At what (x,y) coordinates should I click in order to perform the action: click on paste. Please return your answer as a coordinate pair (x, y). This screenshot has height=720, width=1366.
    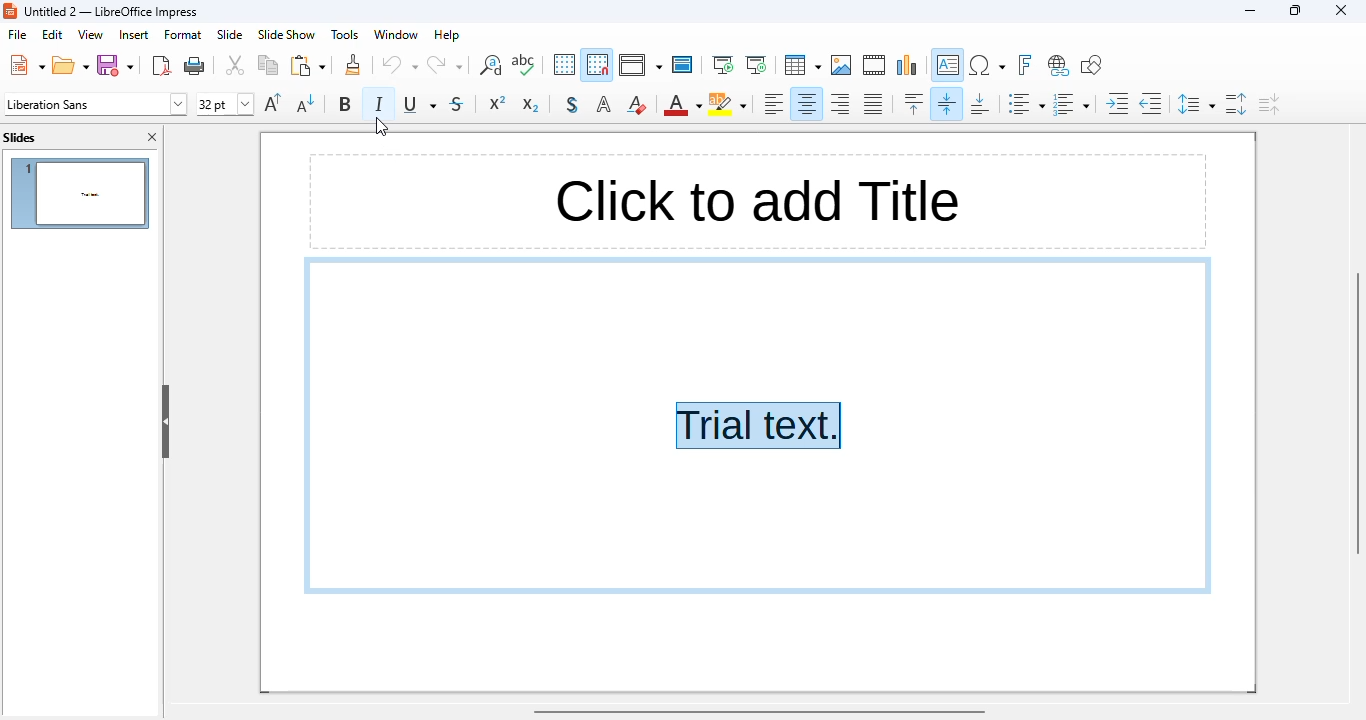
    Looking at the image, I should click on (307, 65).